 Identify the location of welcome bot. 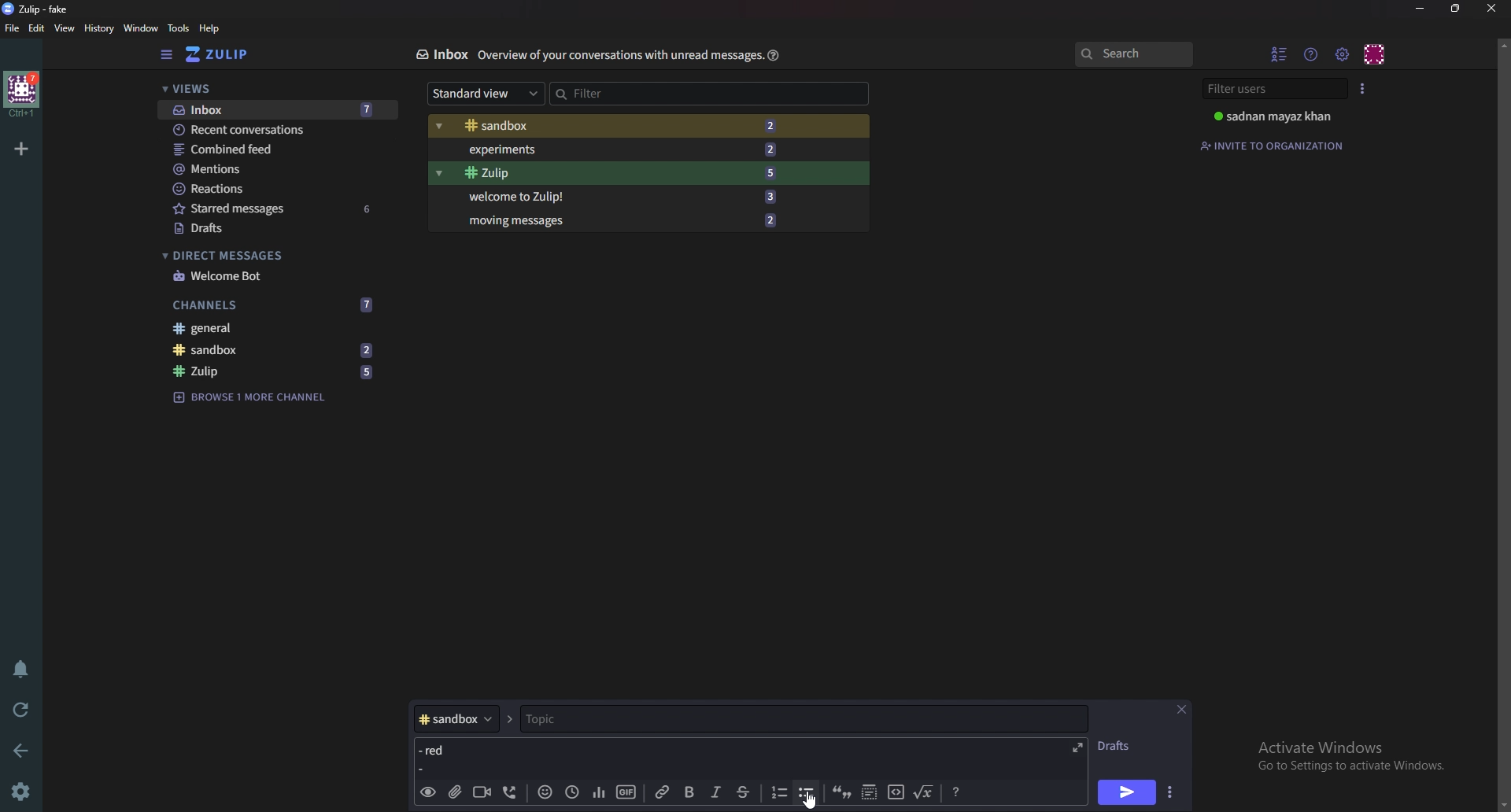
(273, 276).